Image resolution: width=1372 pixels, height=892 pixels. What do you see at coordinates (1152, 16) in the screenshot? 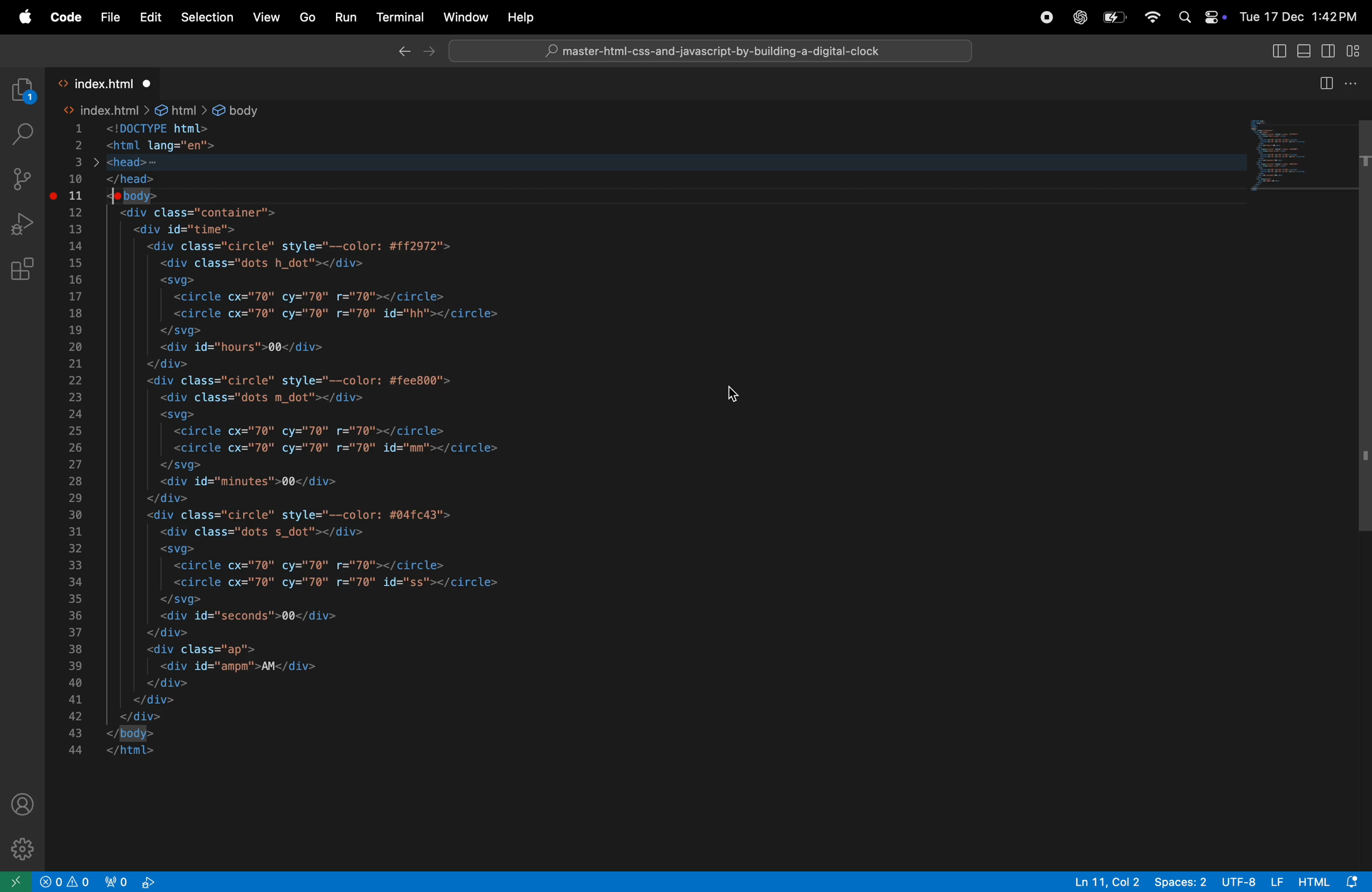
I see `wifi` at bounding box center [1152, 16].